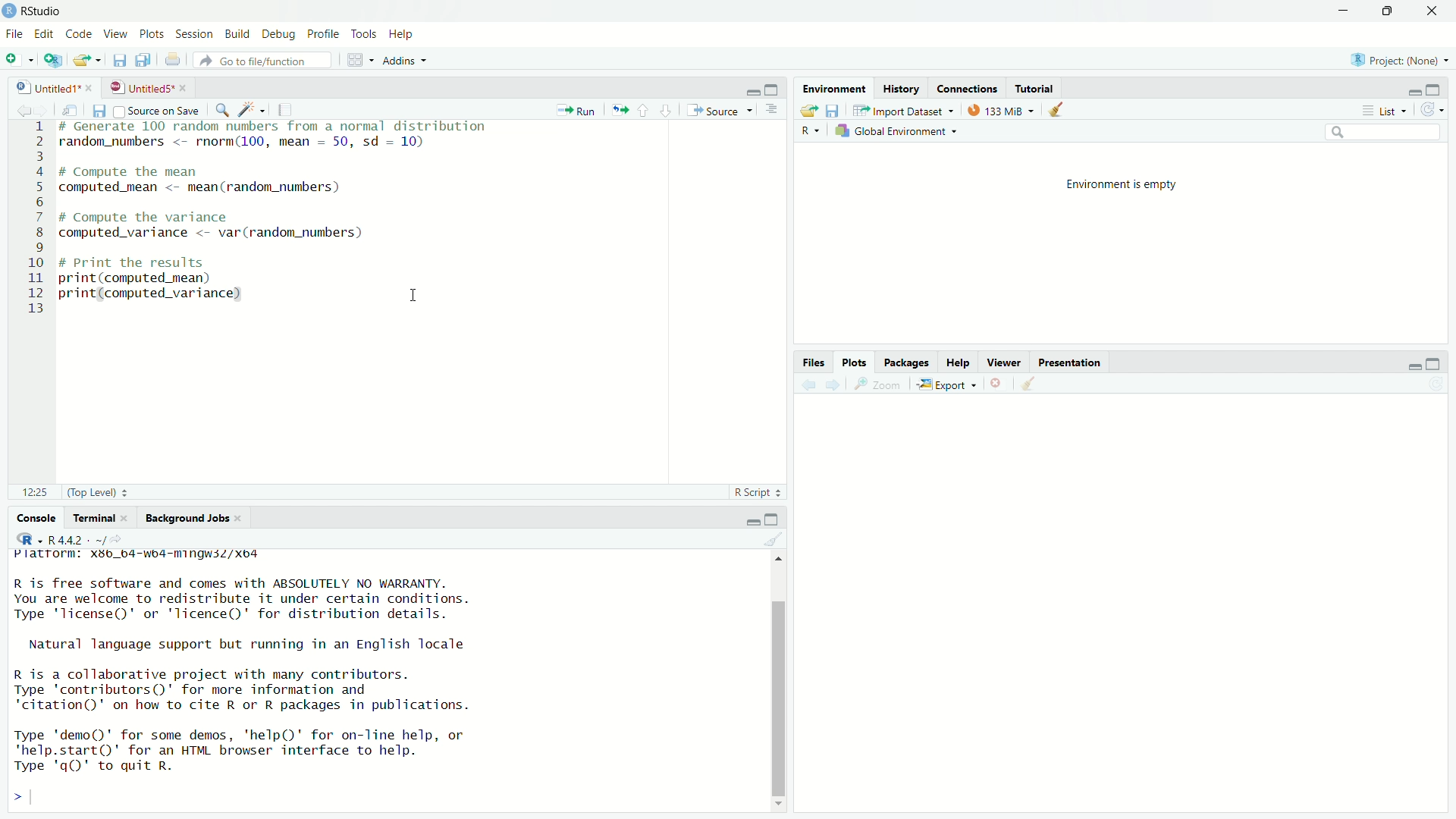 The image size is (1456, 819). Describe the element at coordinates (644, 110) in the screenshot. I see `go to previous section/chunk` at that location.